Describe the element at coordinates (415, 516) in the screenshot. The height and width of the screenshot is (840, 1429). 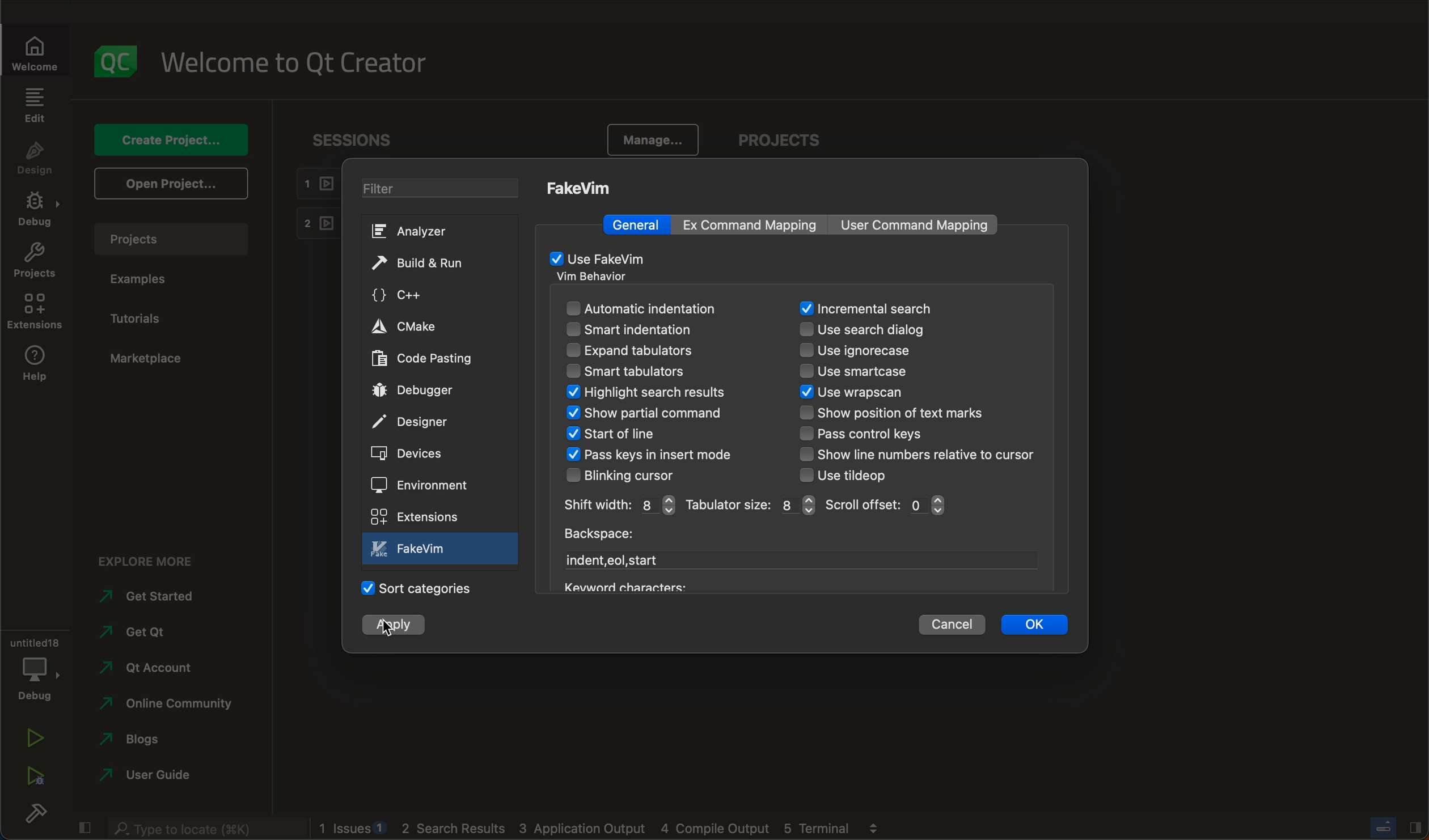
I see `extensions` at that location.